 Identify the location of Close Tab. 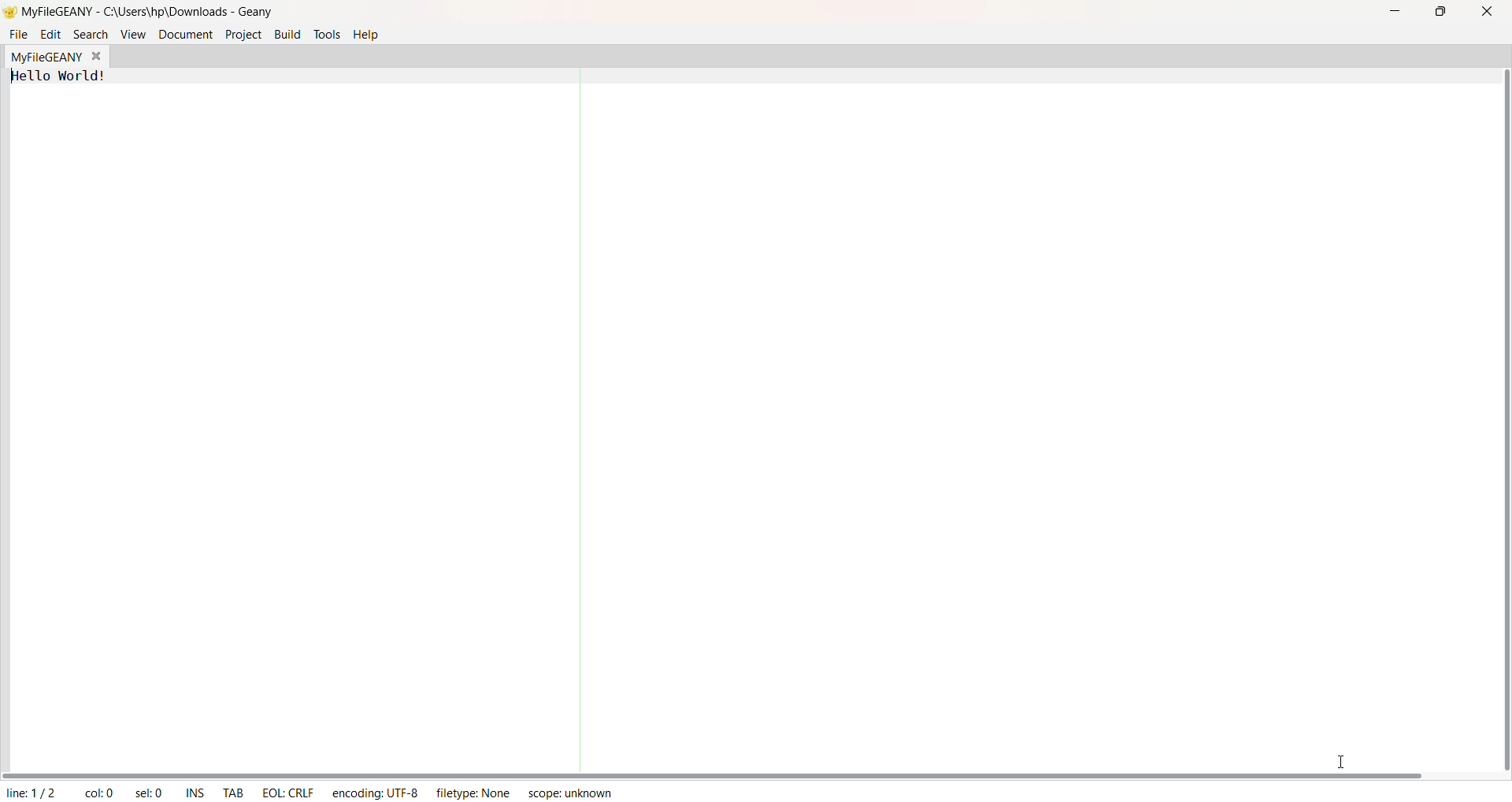
(100, 55).